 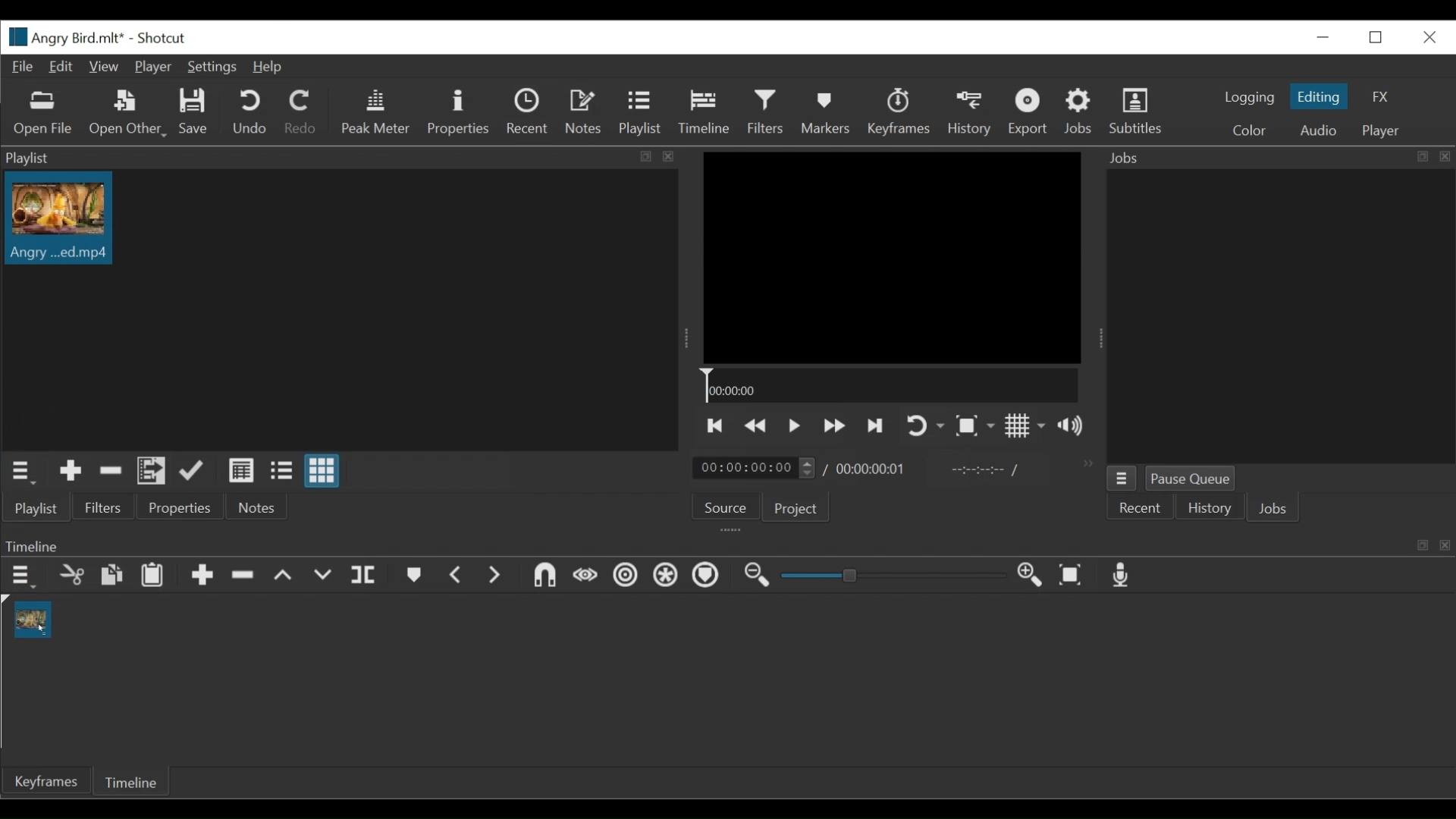 What do you see at coordinates (1073, 577) in the screenshot?
I see `Zoom timeline to fit` at bounding box center [1073, 577].